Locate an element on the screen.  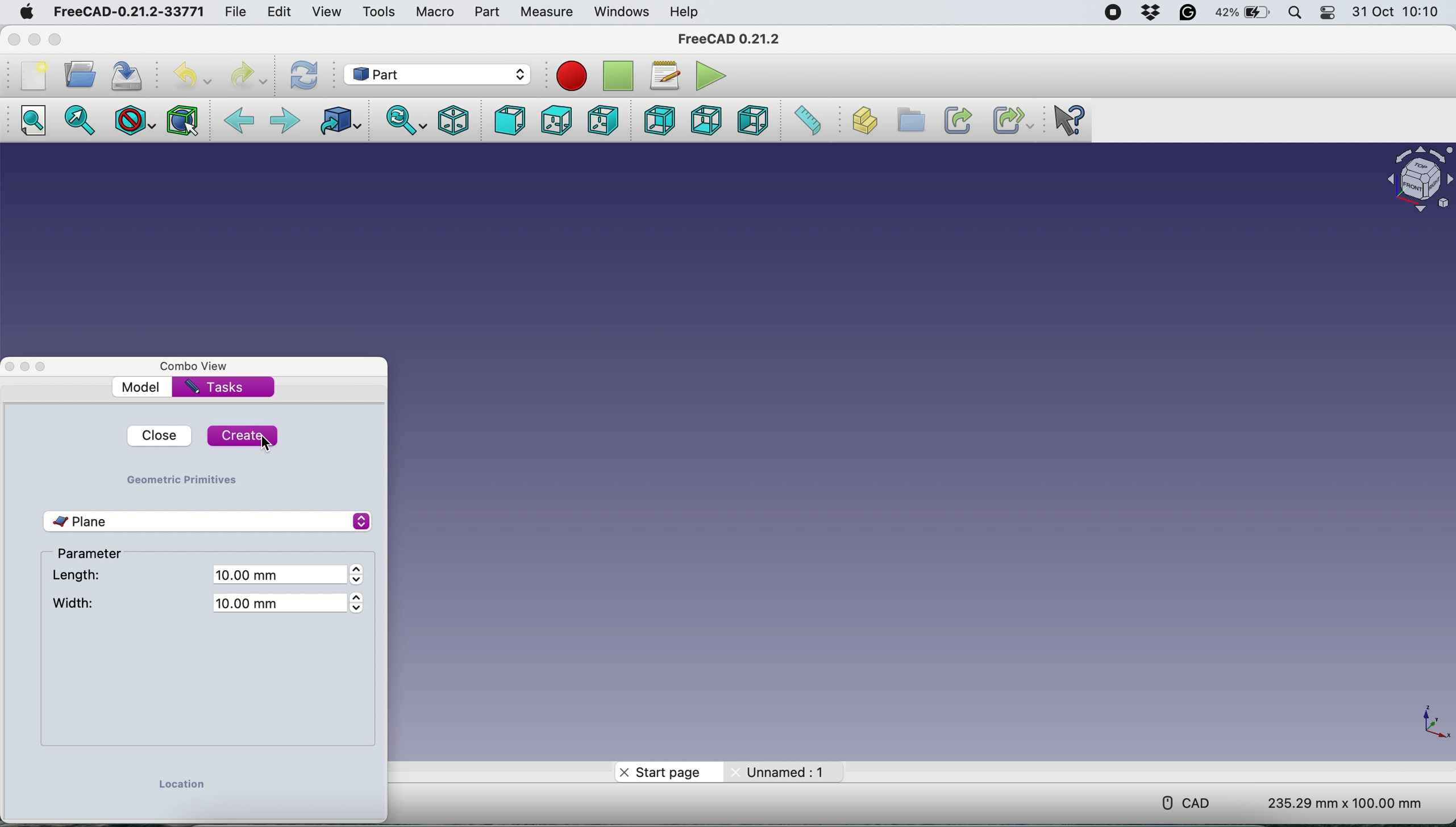
Date and Time is located at coordinates (1398, 11).